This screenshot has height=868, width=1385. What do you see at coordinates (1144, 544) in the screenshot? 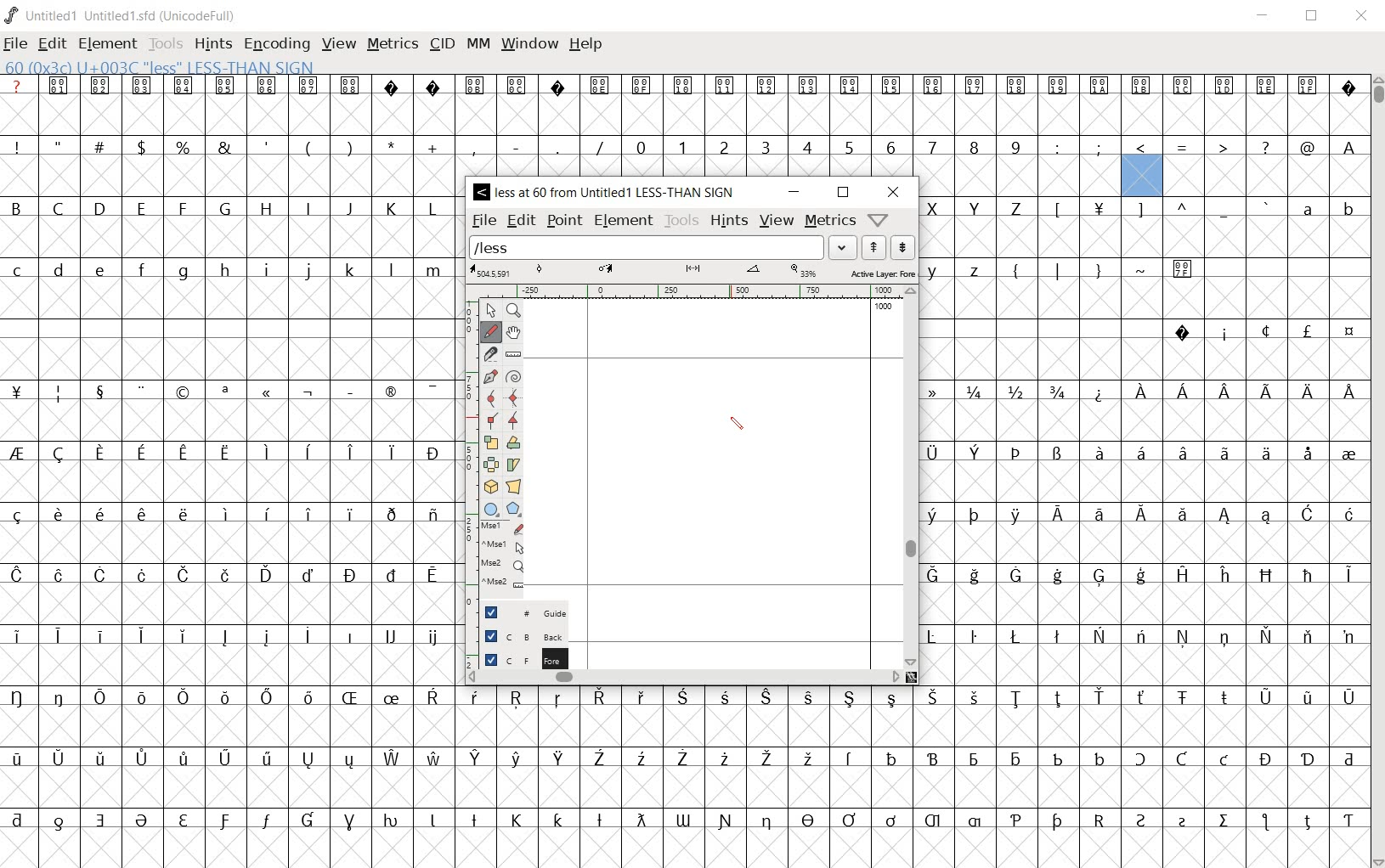
I see `empty cells` at bounding box center [1144, 544].